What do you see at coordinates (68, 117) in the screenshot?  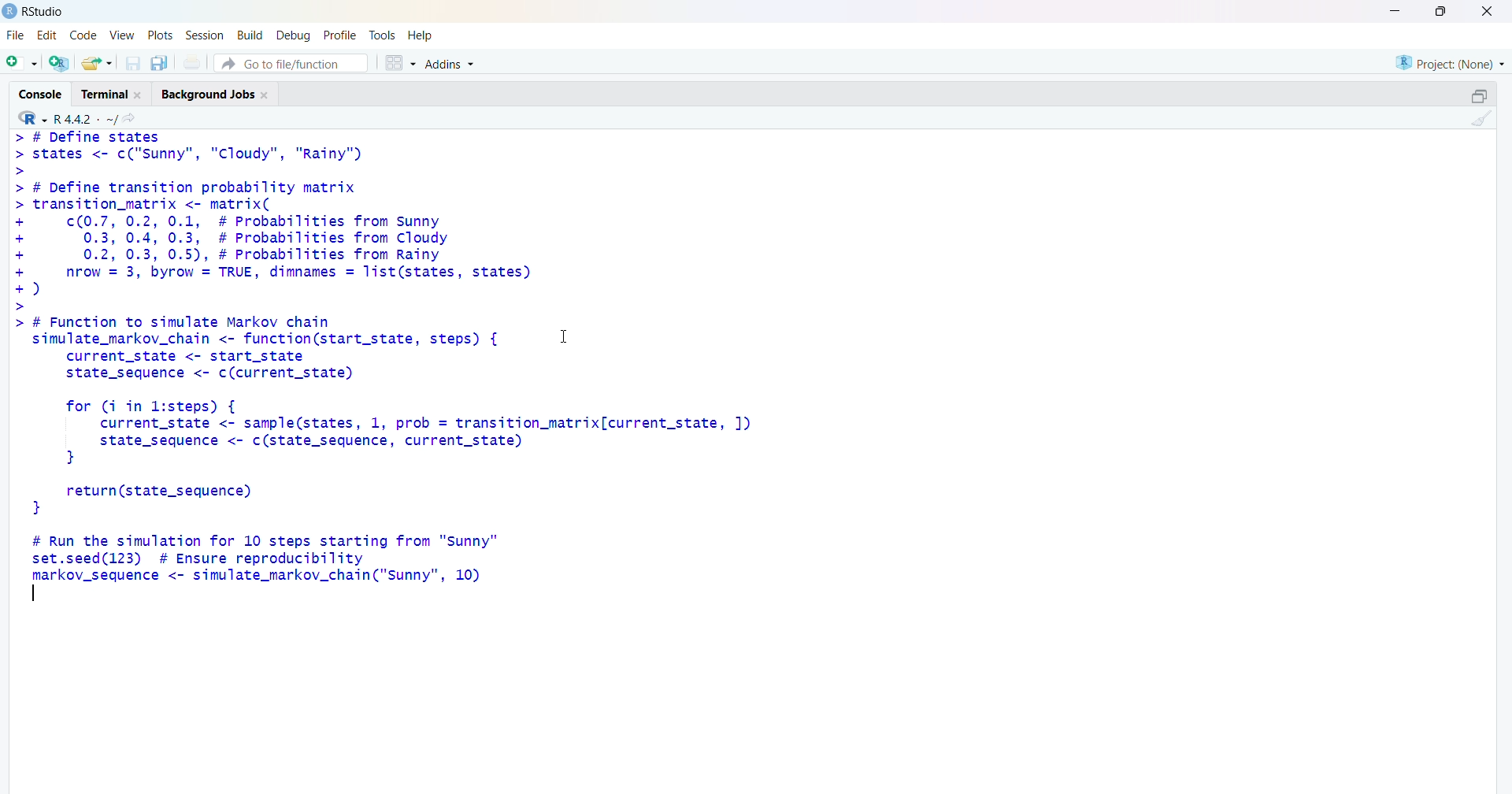 I see `R 4.4.2` at bounding box center [68, 117].